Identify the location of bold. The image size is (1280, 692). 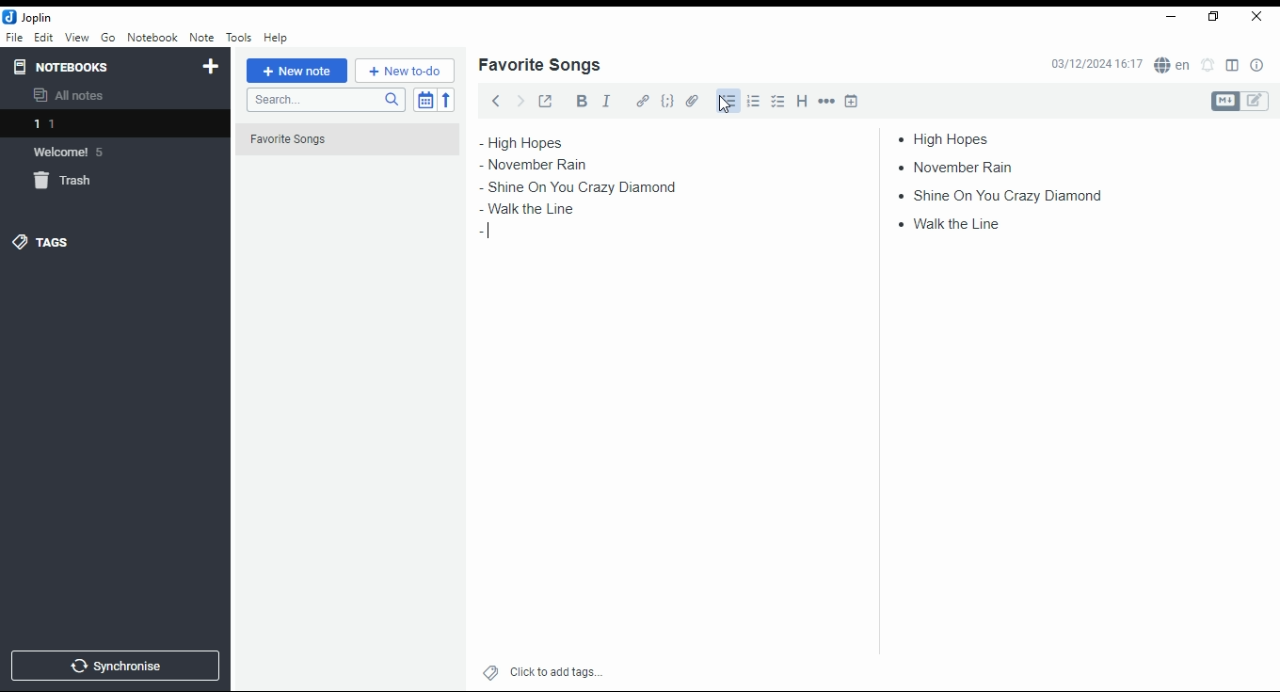
(581, 101).